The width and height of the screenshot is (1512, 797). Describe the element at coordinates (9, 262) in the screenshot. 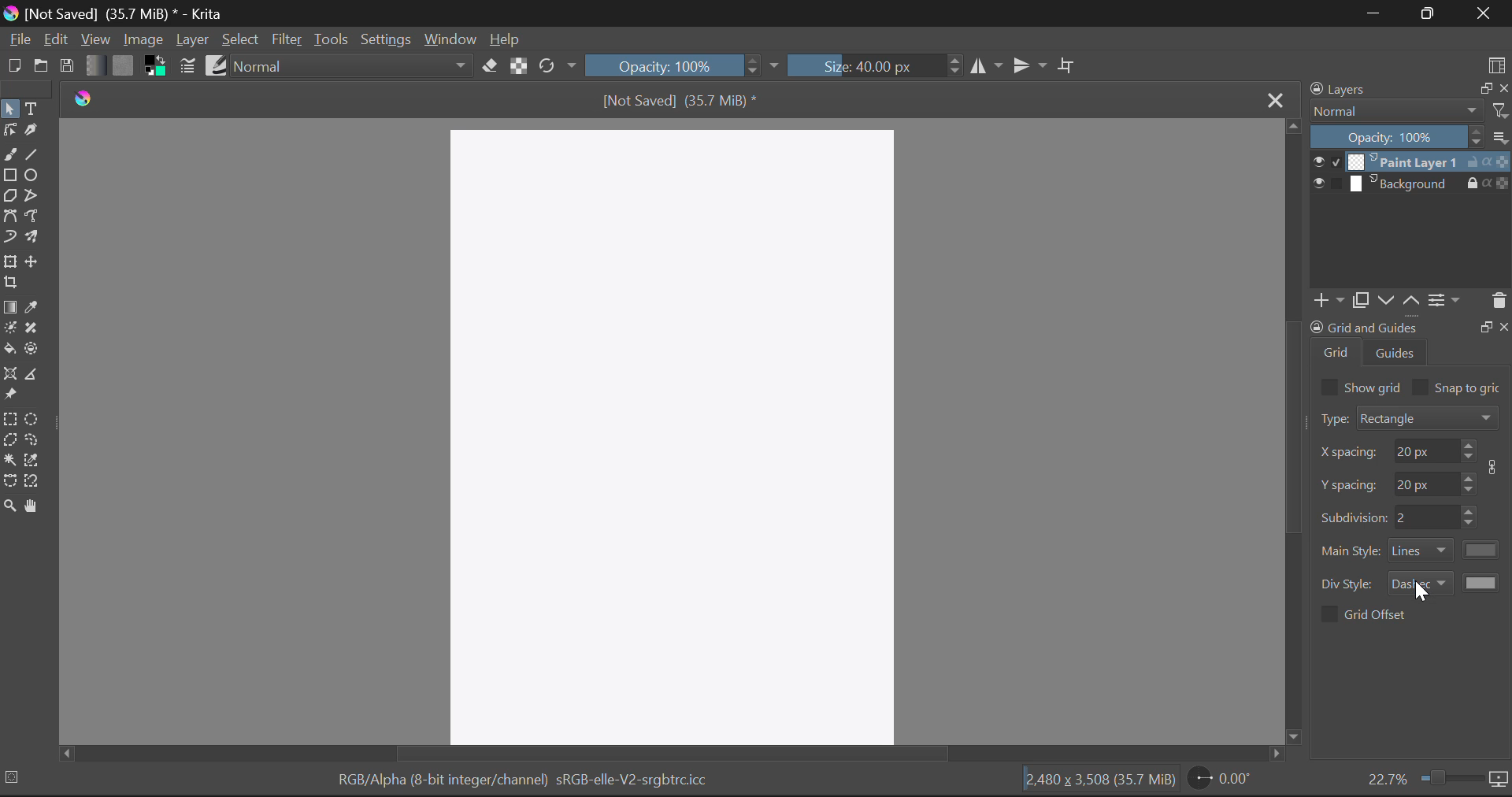

I see `Transform Layer` at that location.